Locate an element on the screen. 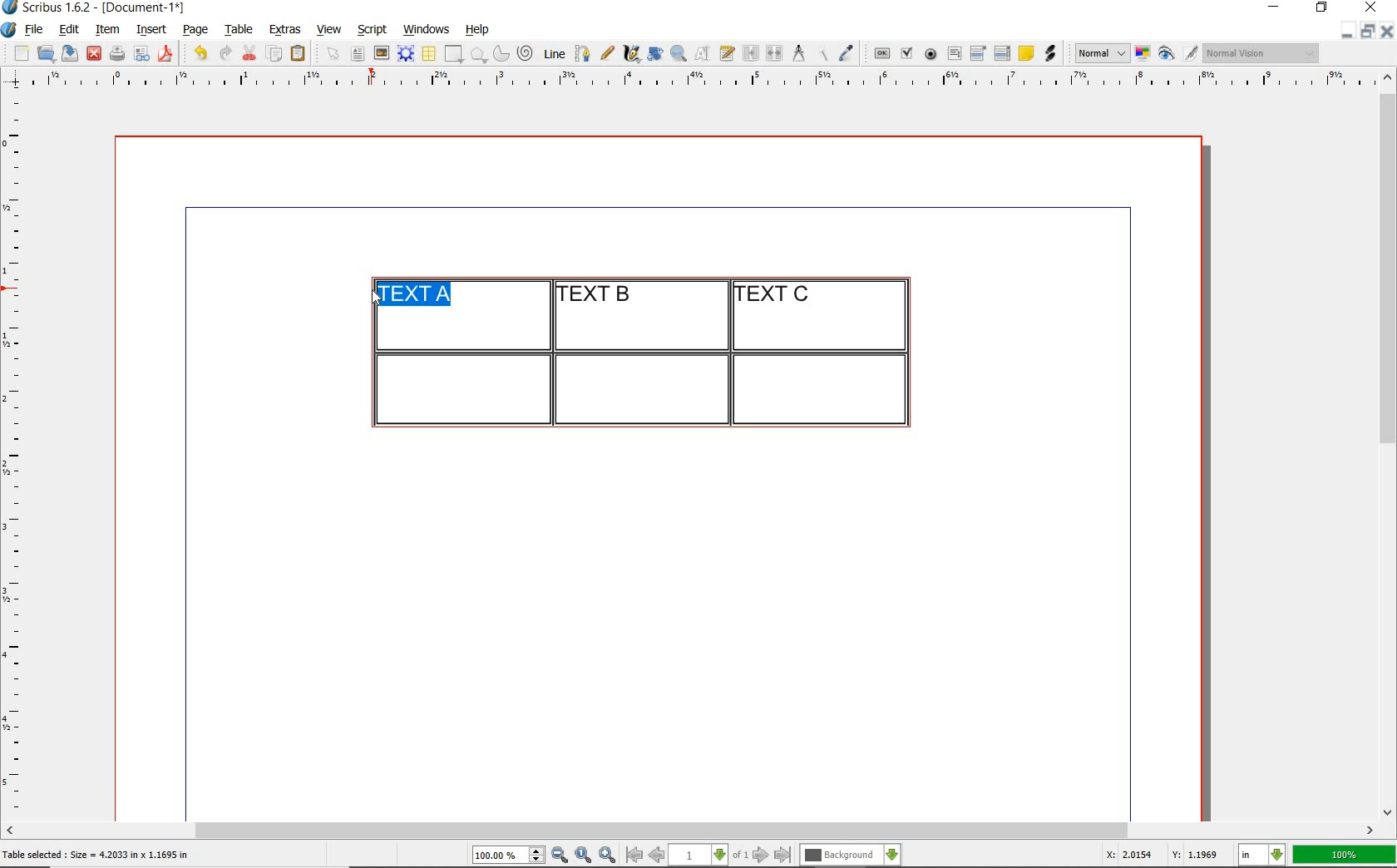 This screenshot has height=868, width=1397. Table selected : Size = 4.2033 in x 1.1695 in is located at coordinates (96, 854).